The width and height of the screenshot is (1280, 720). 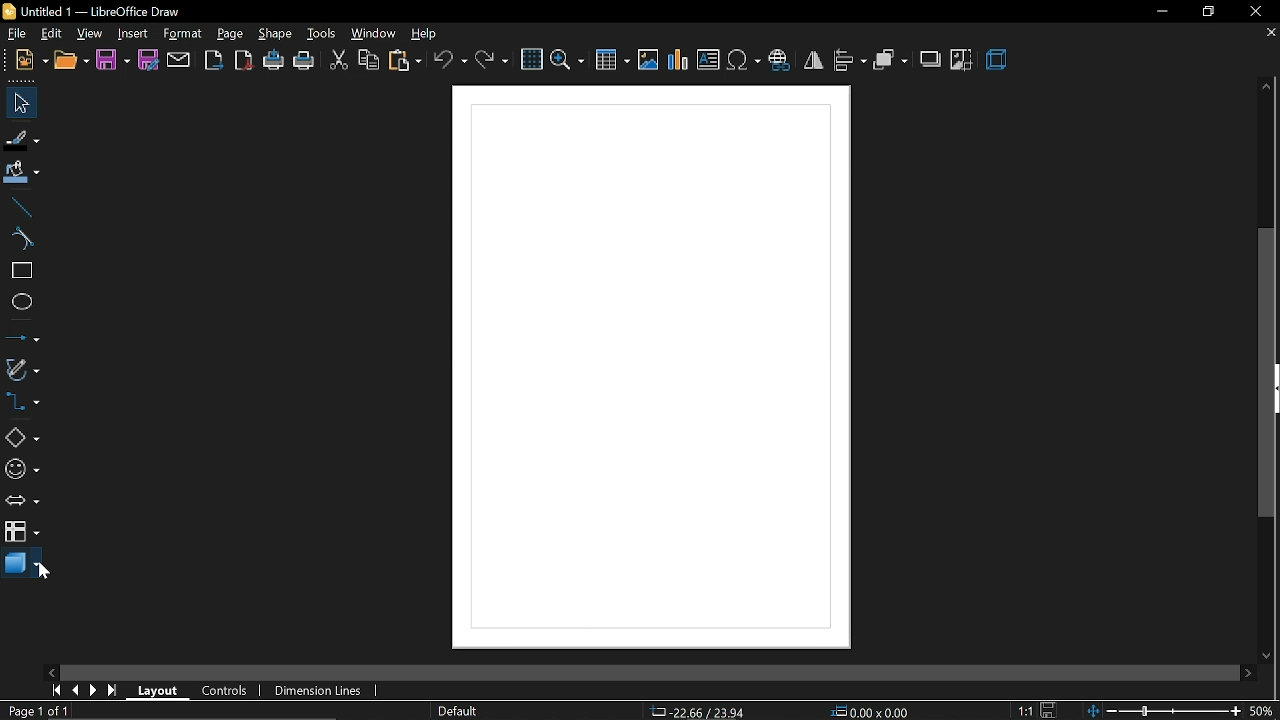 I want to click on connector, so click(x=26, y=400).